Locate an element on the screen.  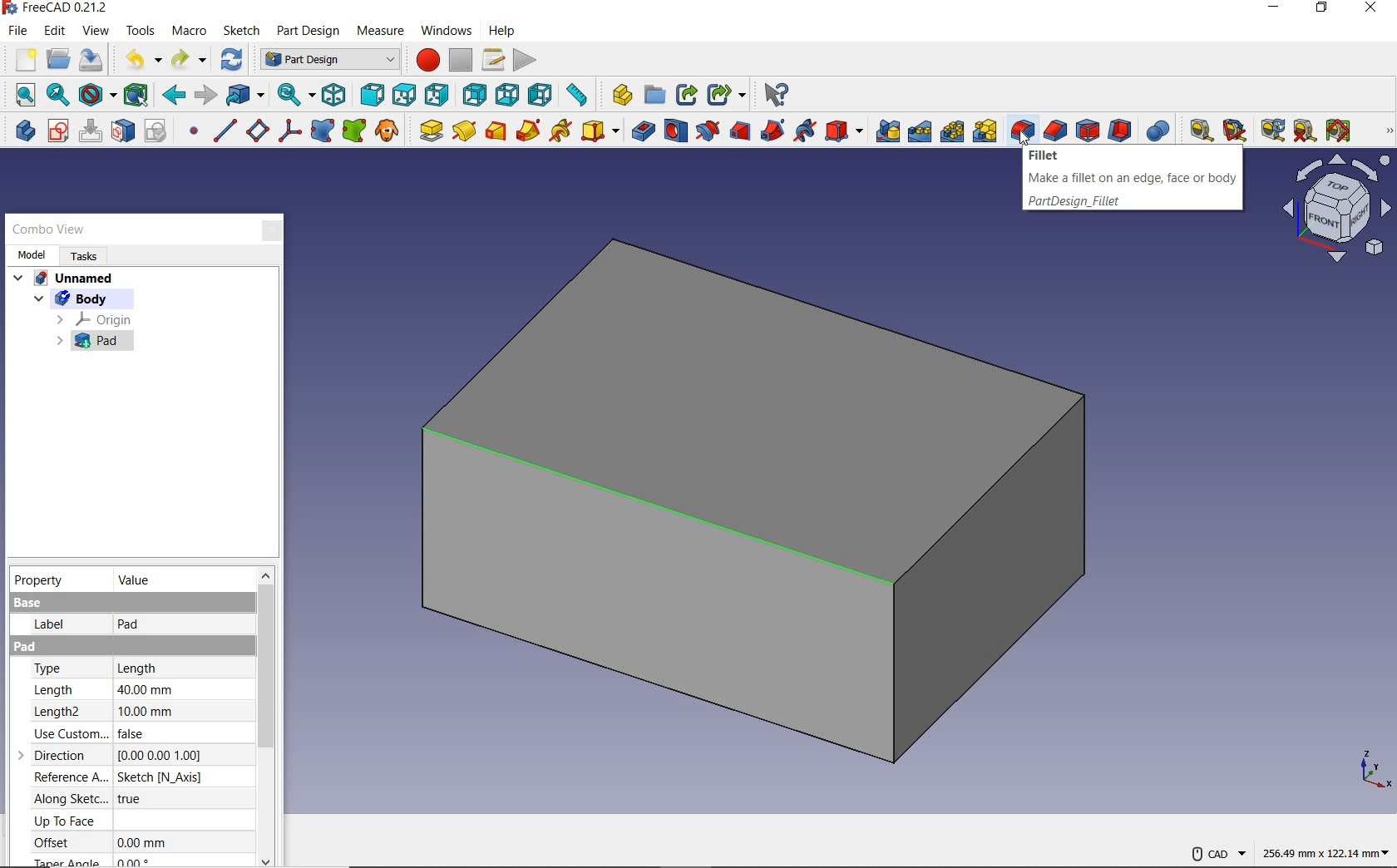
value is located at coordinates (136, 579).